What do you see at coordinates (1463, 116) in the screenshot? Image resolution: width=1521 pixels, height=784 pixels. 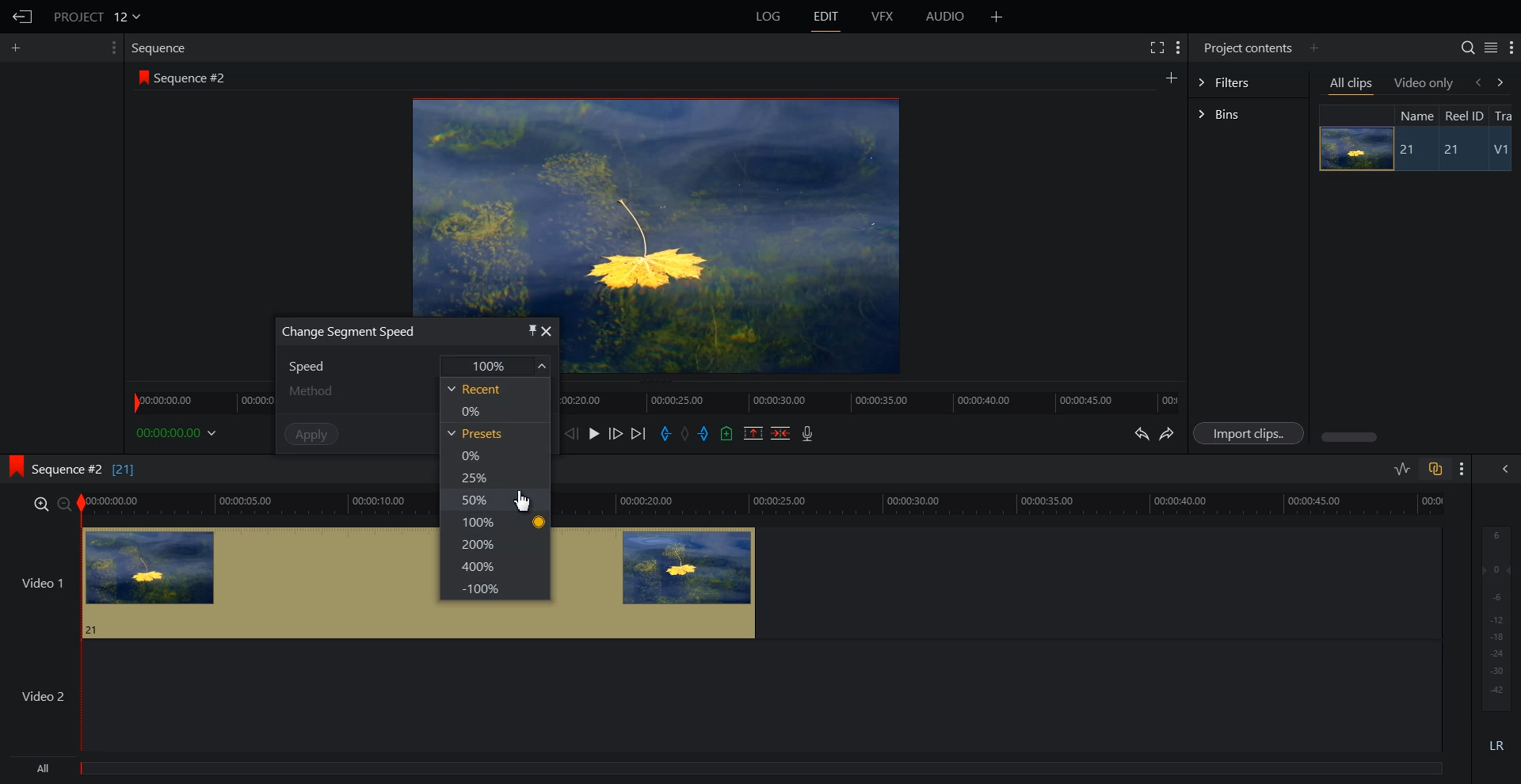 I see `Reel ID` at bounding box center [1463, 116].